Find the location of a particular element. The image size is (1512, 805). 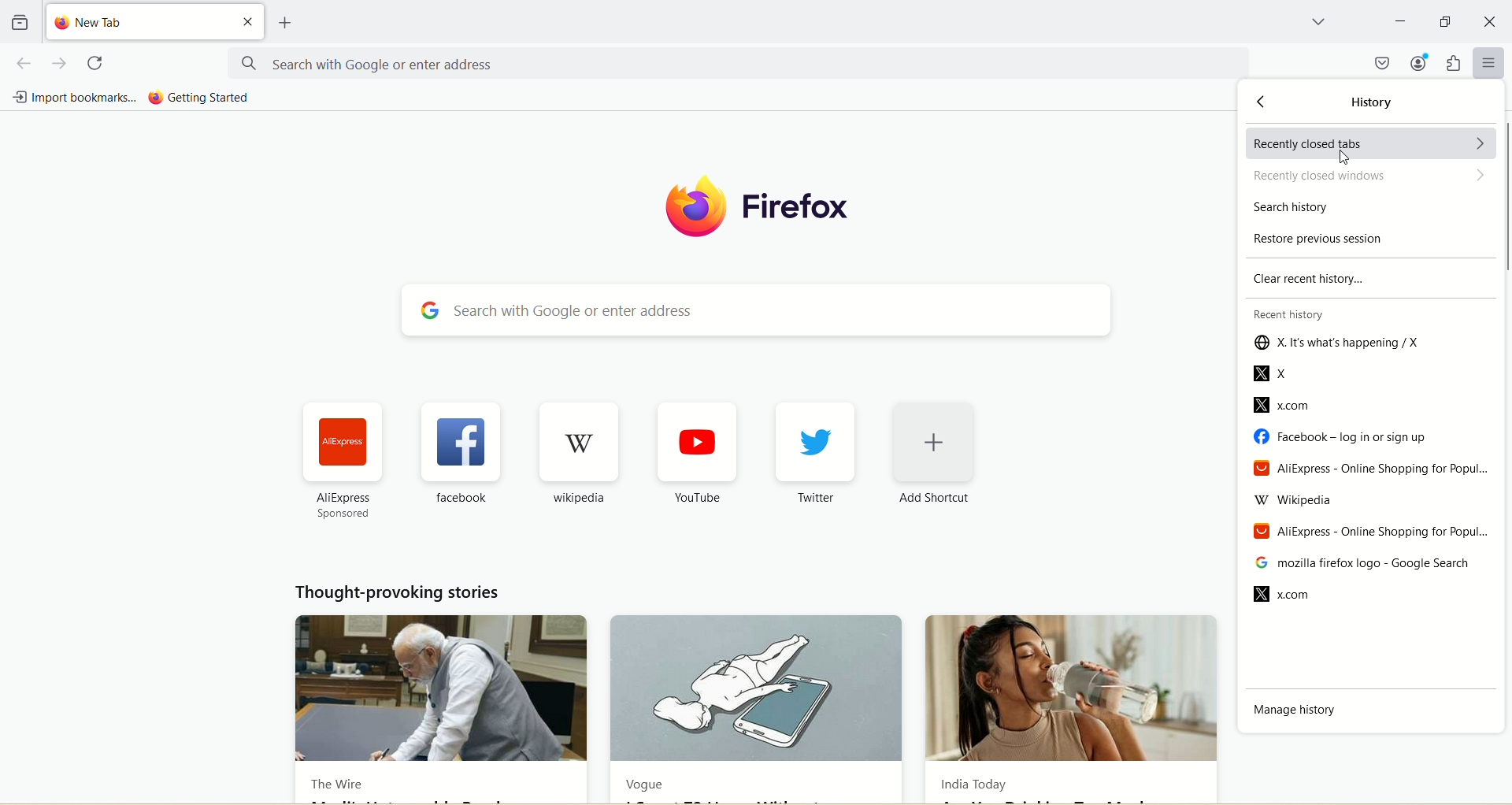

x.com is located at coordinates (1372, 402).